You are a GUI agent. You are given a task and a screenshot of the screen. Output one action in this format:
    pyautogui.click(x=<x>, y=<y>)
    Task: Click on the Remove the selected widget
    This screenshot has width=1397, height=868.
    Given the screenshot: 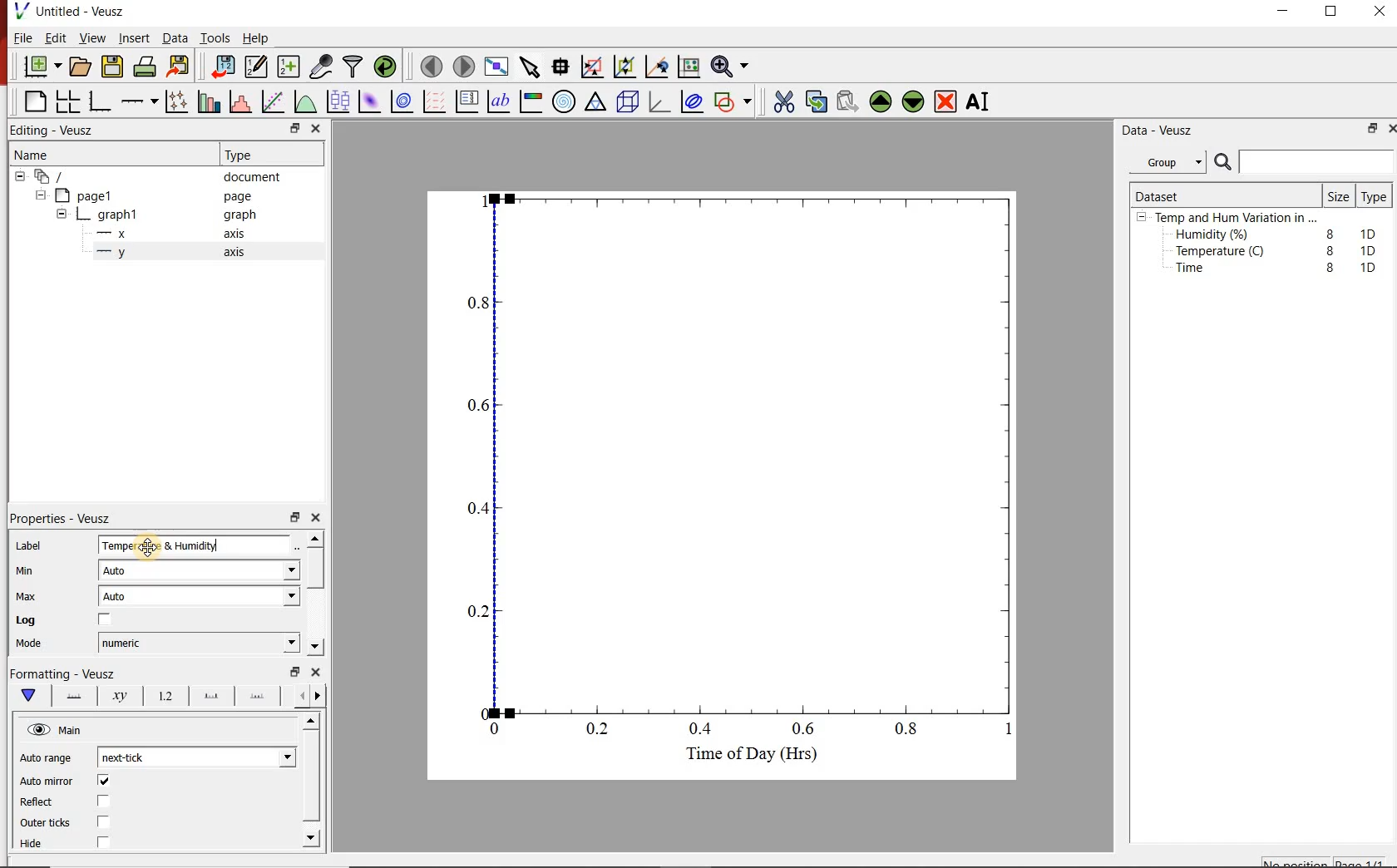 What is the action you would take?
    pyautogui.click(x=947, y=101)
    